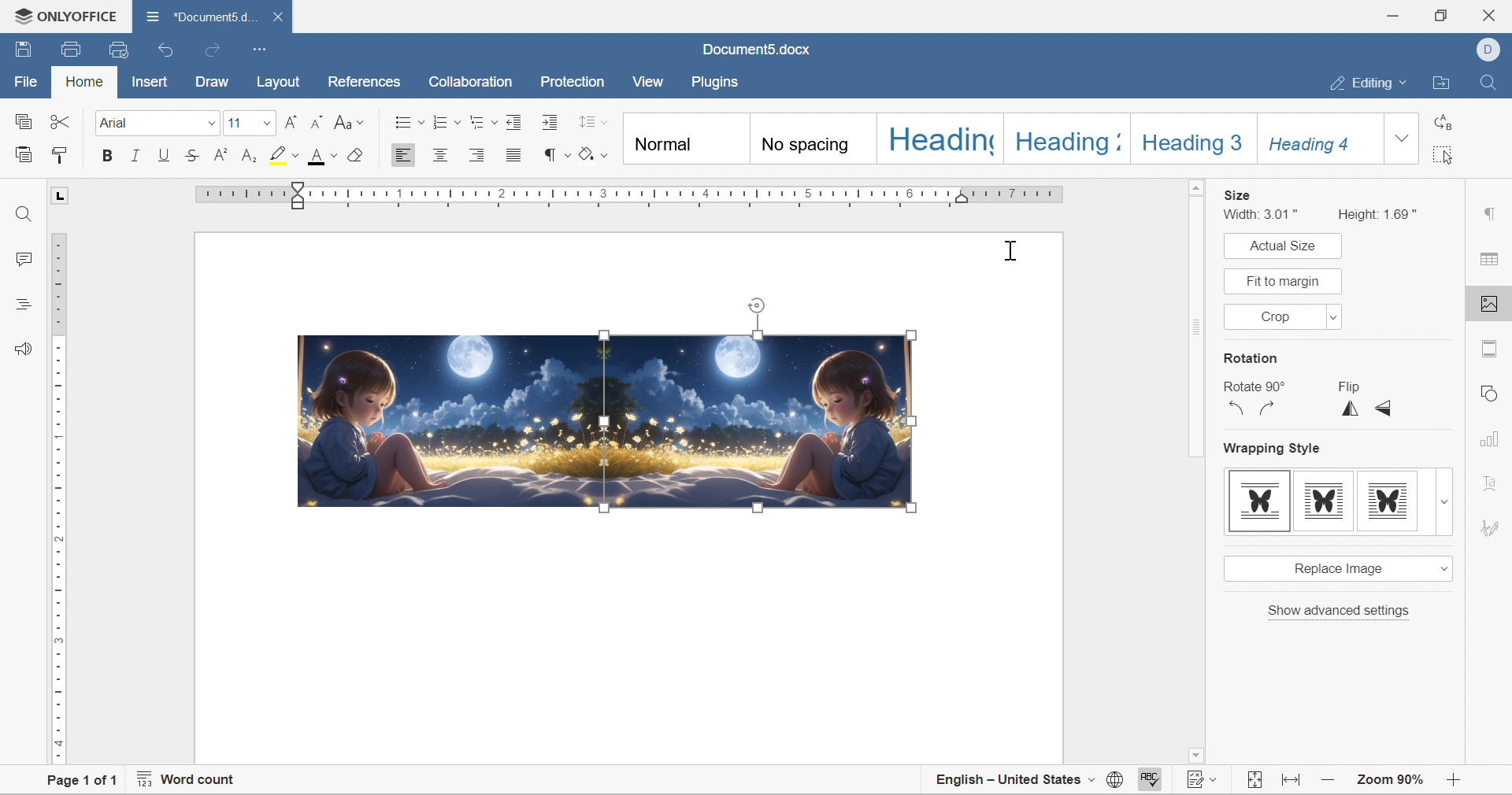  Describe the element at coordinates (1115, 779) in the screenshot. I see `set document language` at that location.